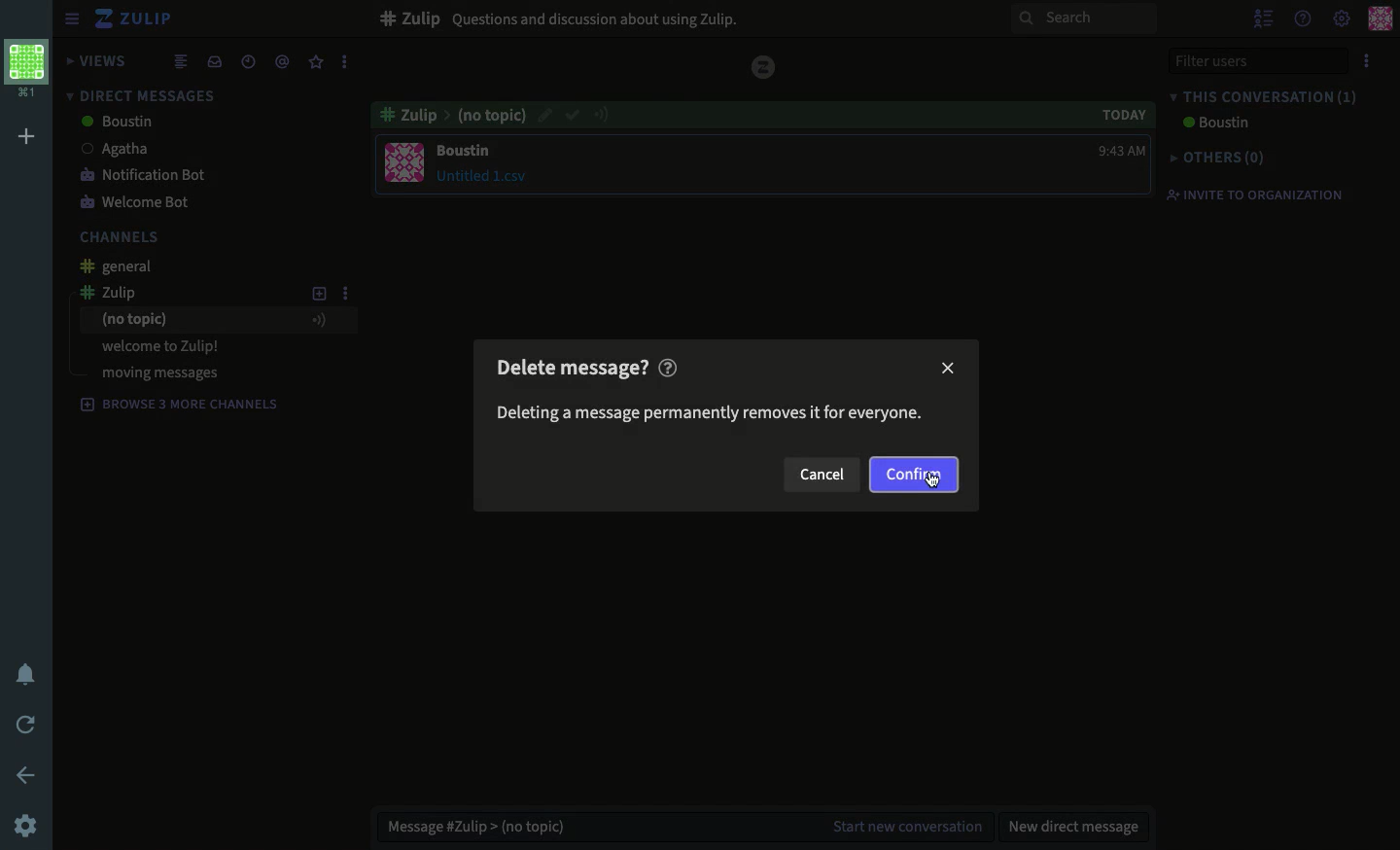 Image resolution: width=1400 pixels, height=850 pixels. I want to click on views, so click(98, 60).